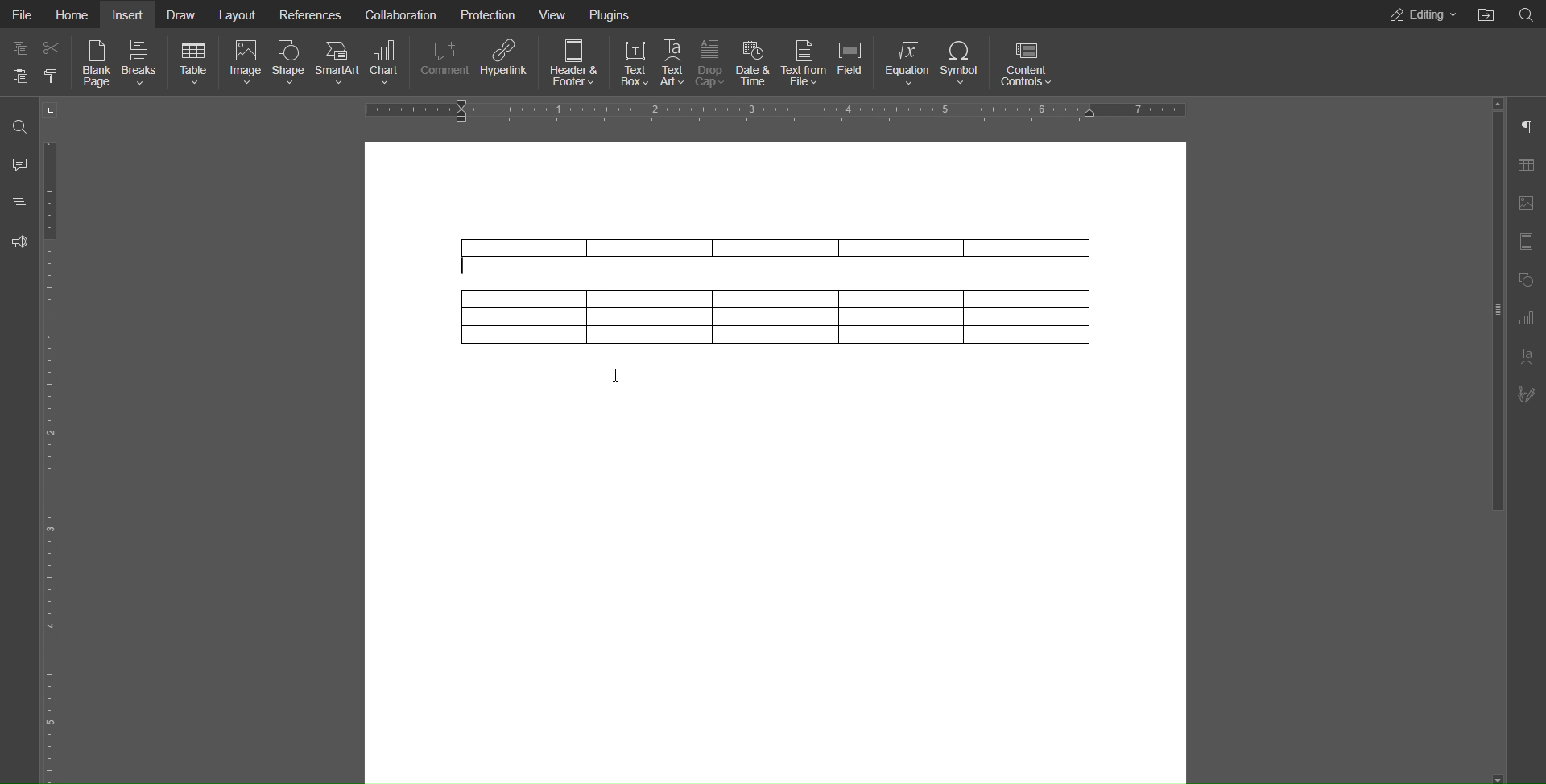  Describe the element at coordinates (18, 126) in the screenshot. I see `Search` at that location.